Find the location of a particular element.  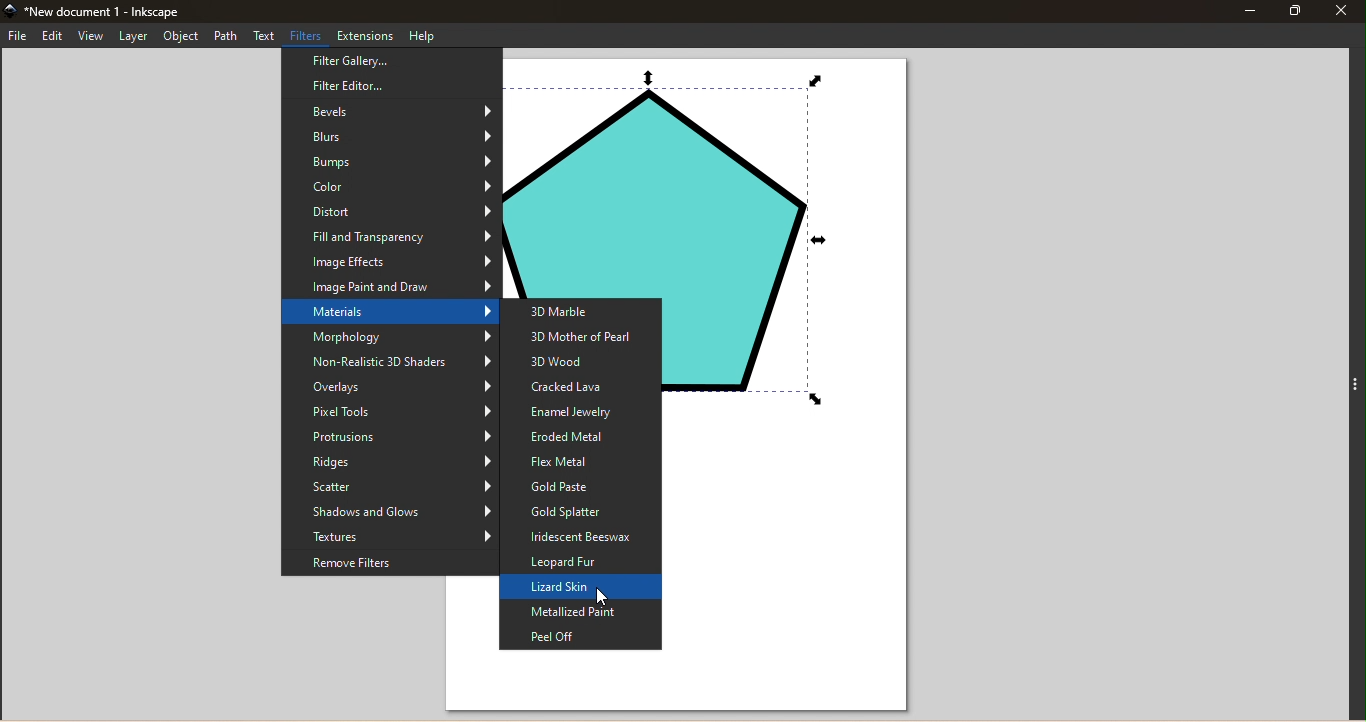

Protrusions is located at coordinates (387, 437).